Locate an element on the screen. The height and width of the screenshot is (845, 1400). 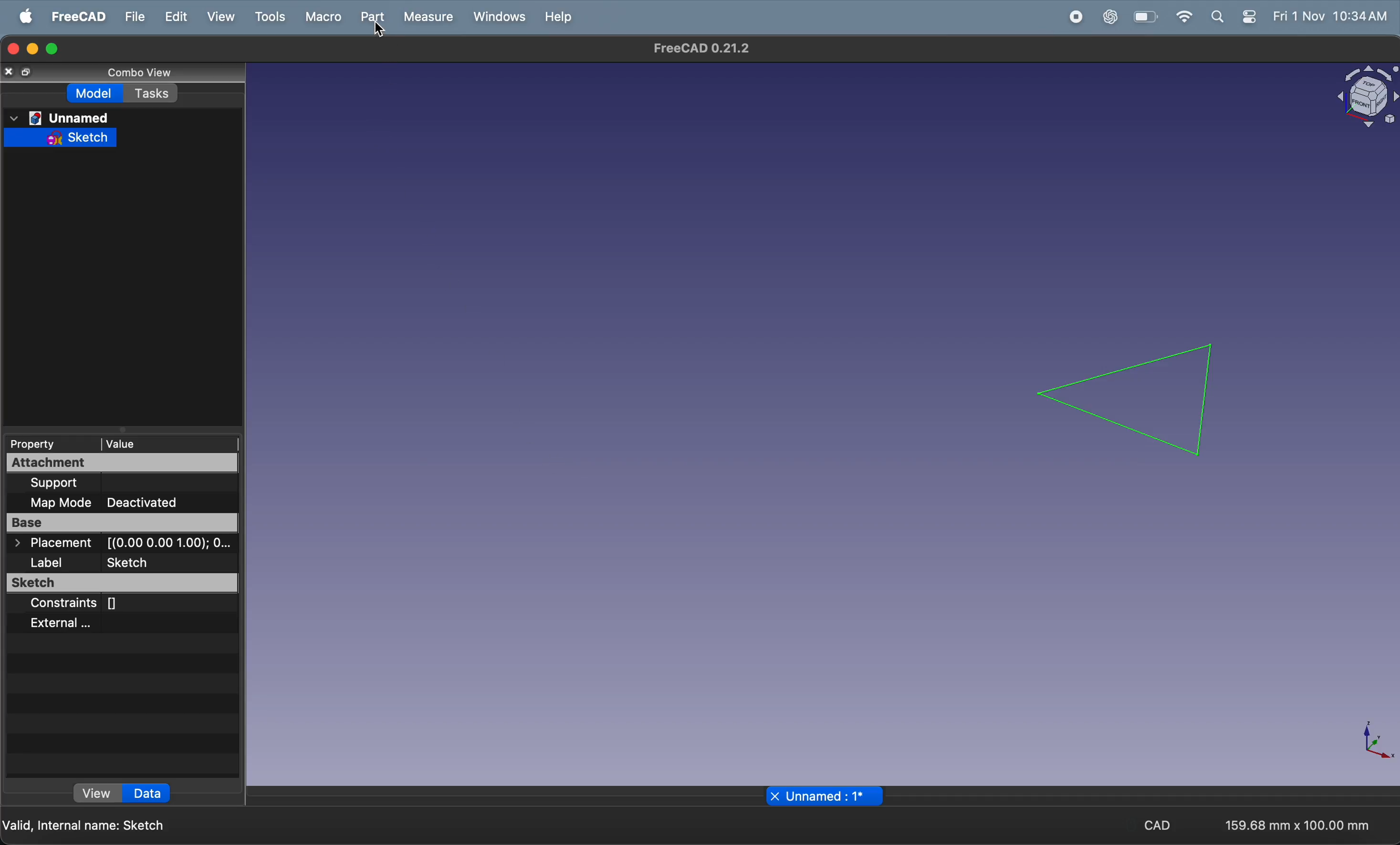
External ... is located at coordinates (89, 623).